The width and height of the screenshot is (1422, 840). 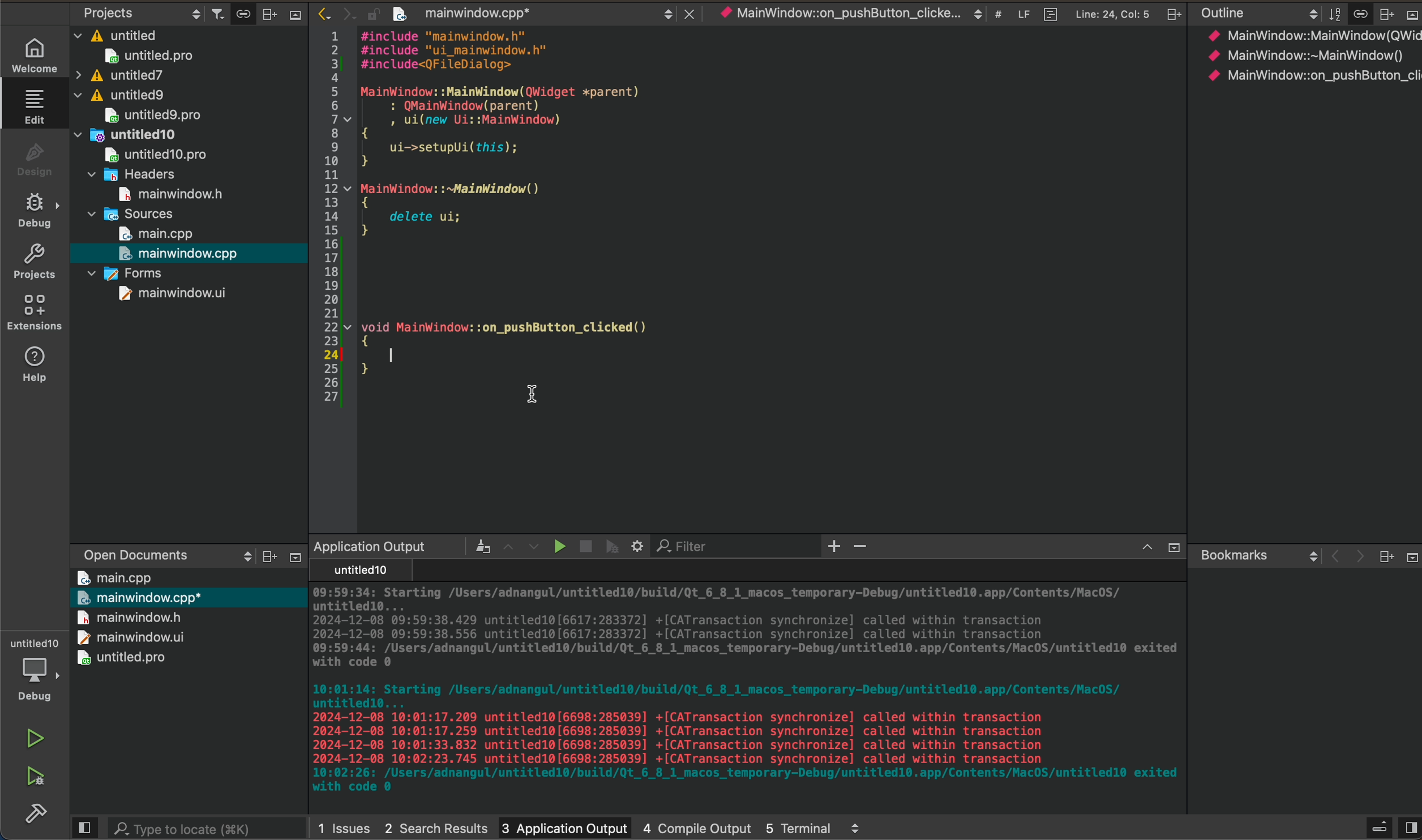 I want to click on link, so click(x=1360, y=12).